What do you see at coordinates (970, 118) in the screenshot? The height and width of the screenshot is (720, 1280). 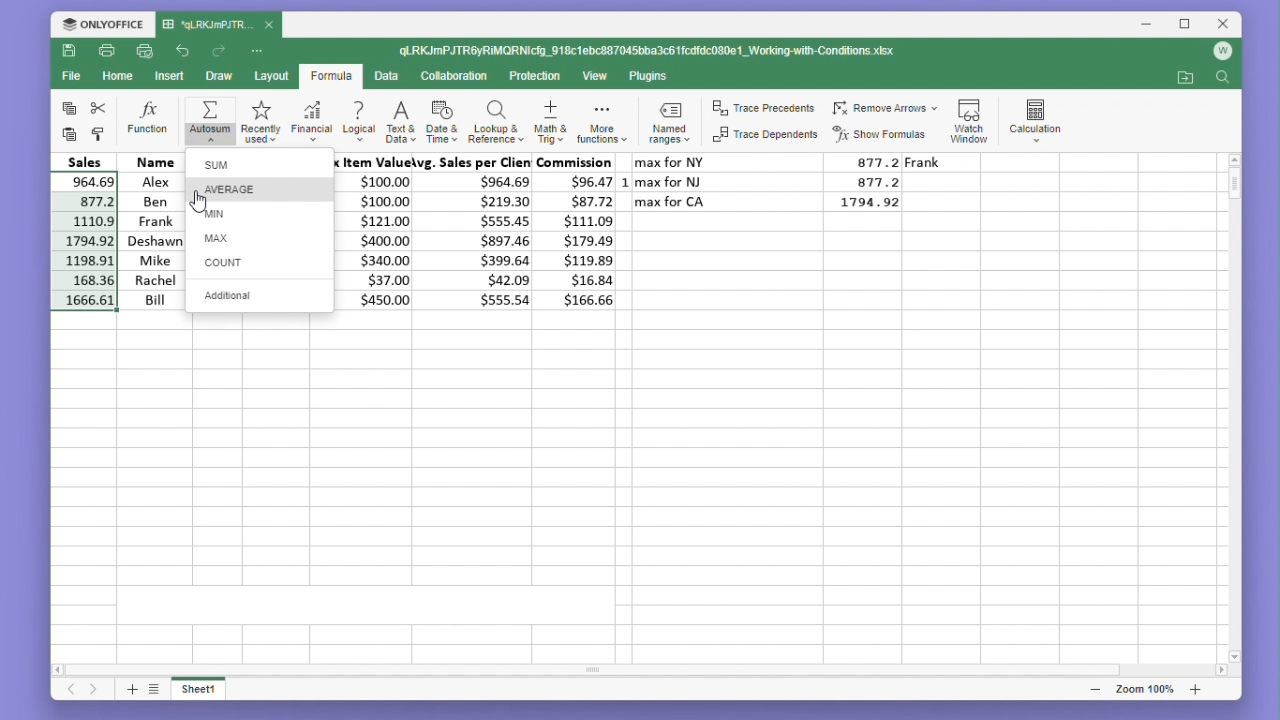 I see `Watch window` at bounding box center [970, 118].